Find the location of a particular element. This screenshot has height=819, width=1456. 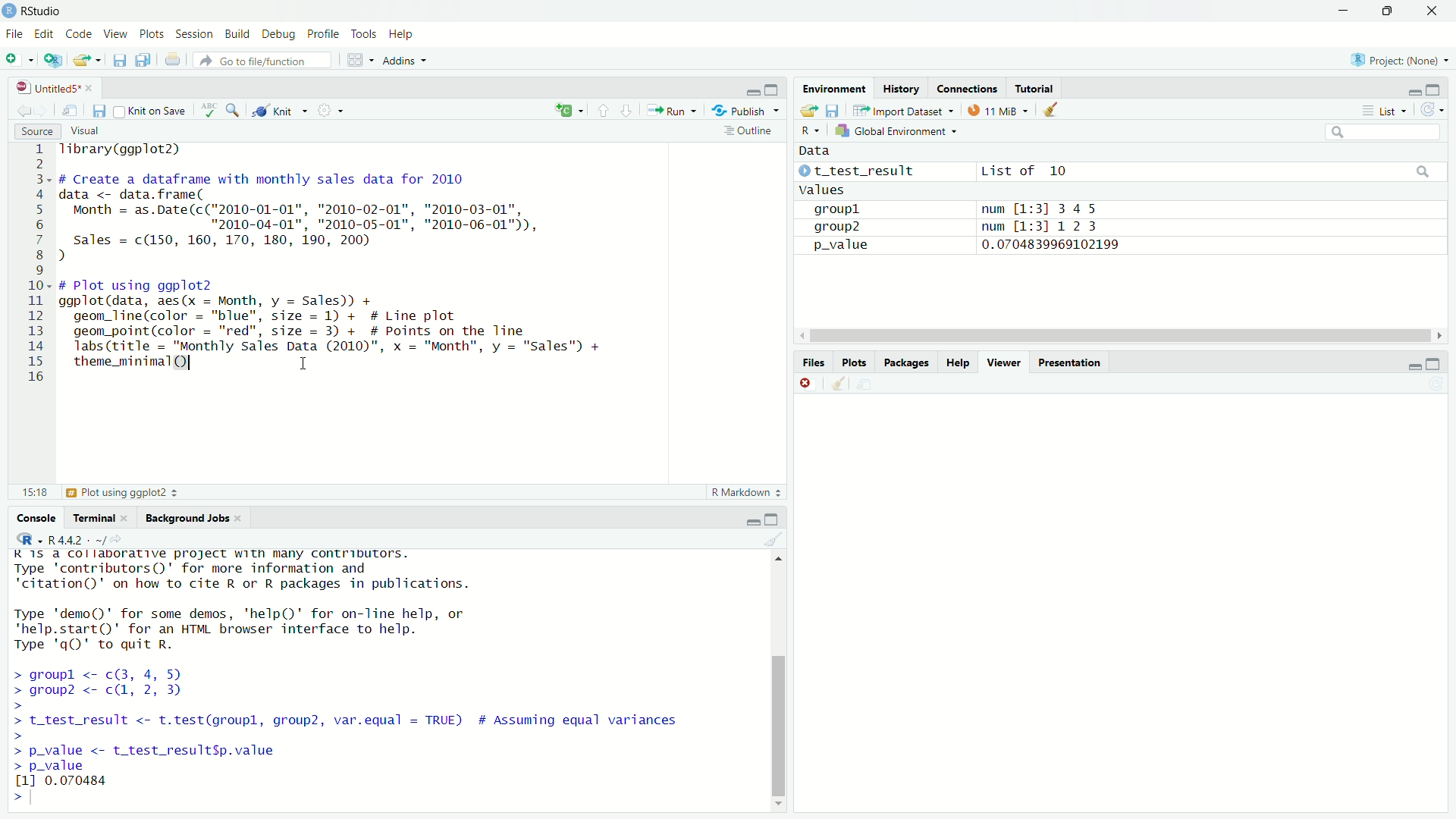

Addins ~ is located at coordinates (406, 60).